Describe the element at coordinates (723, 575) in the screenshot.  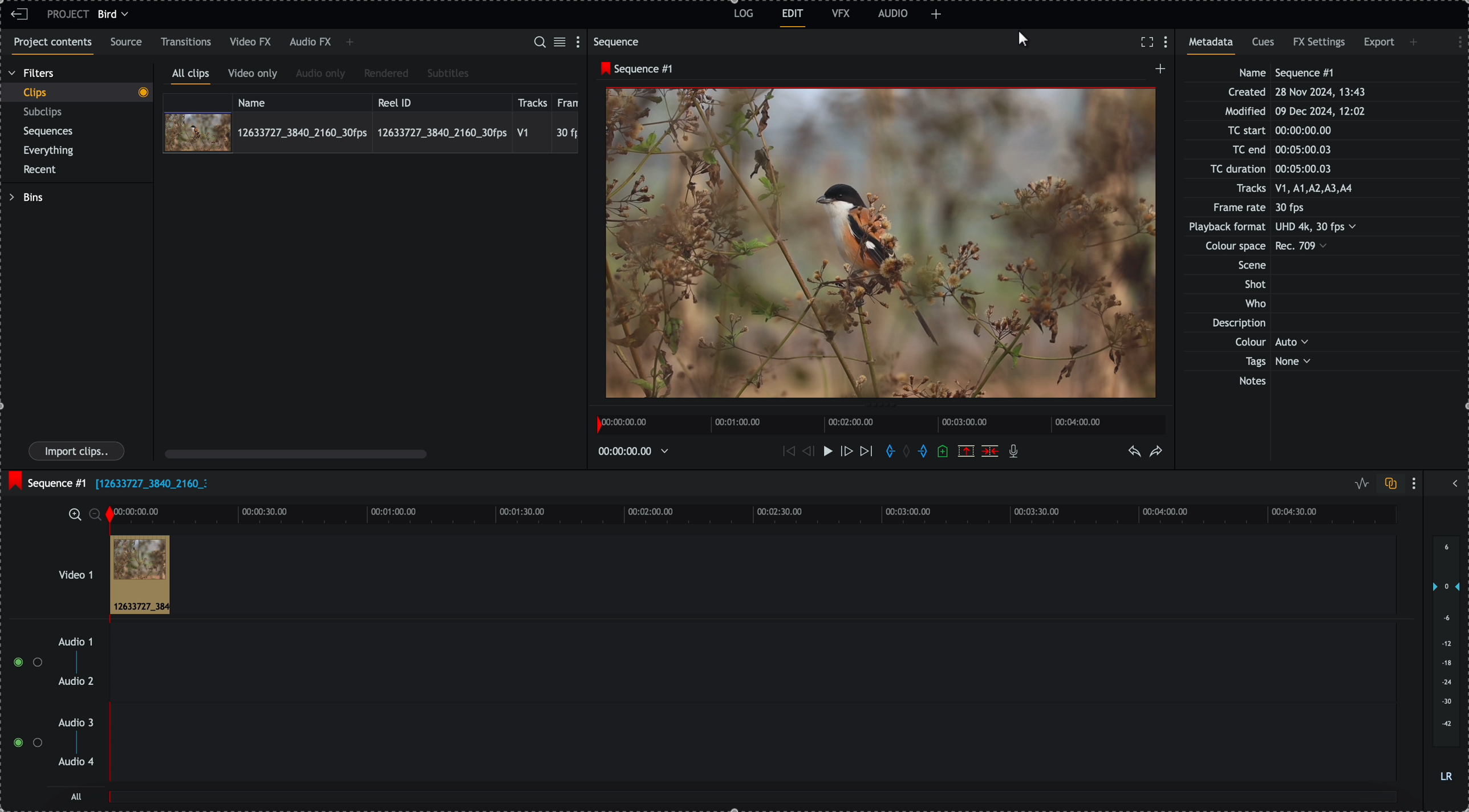
I see `video 1` at that location.